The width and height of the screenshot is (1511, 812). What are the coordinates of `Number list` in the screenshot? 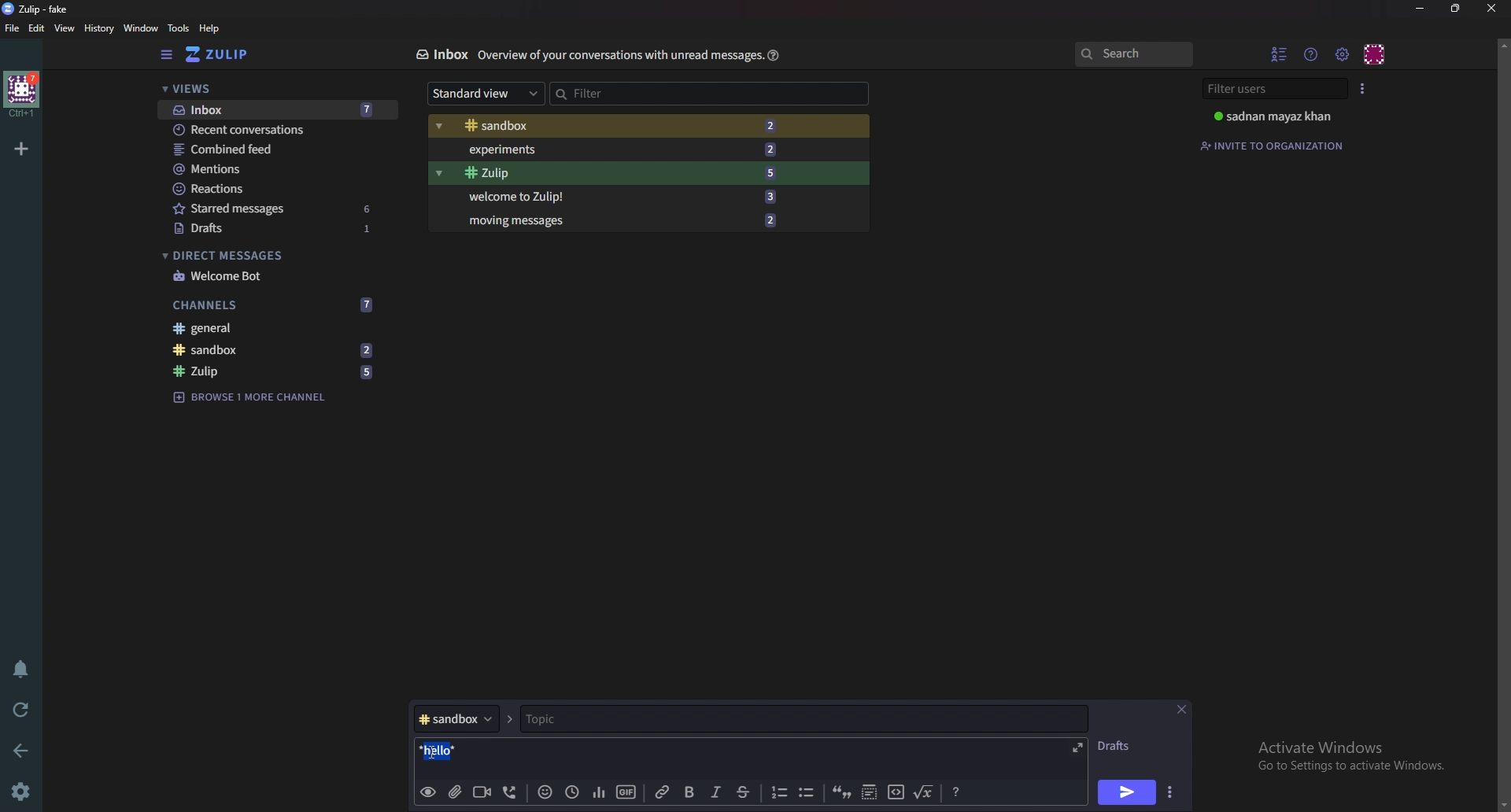 It's located at (777, 792).